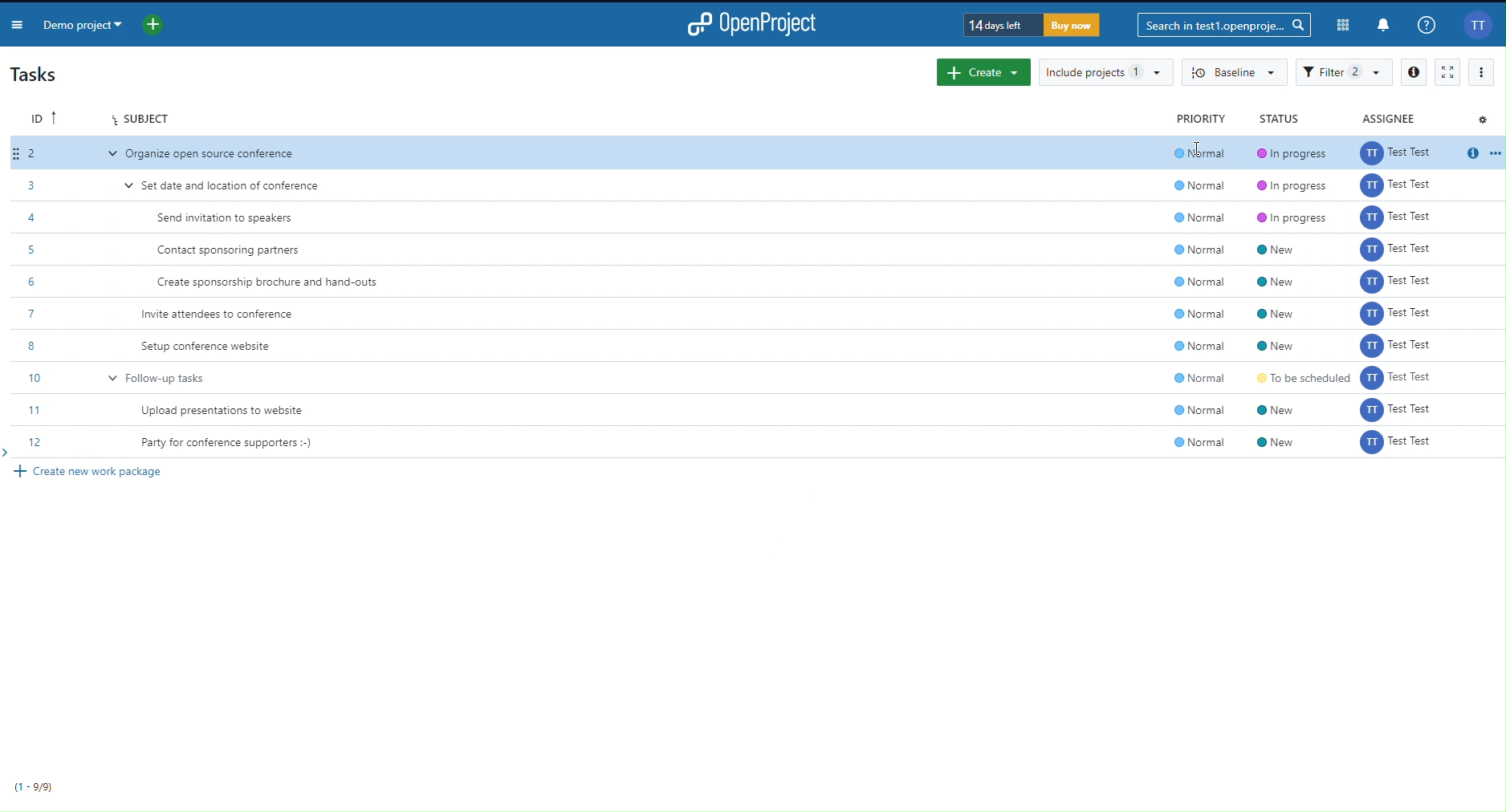  I want to click on Info, so click(1413, 71).